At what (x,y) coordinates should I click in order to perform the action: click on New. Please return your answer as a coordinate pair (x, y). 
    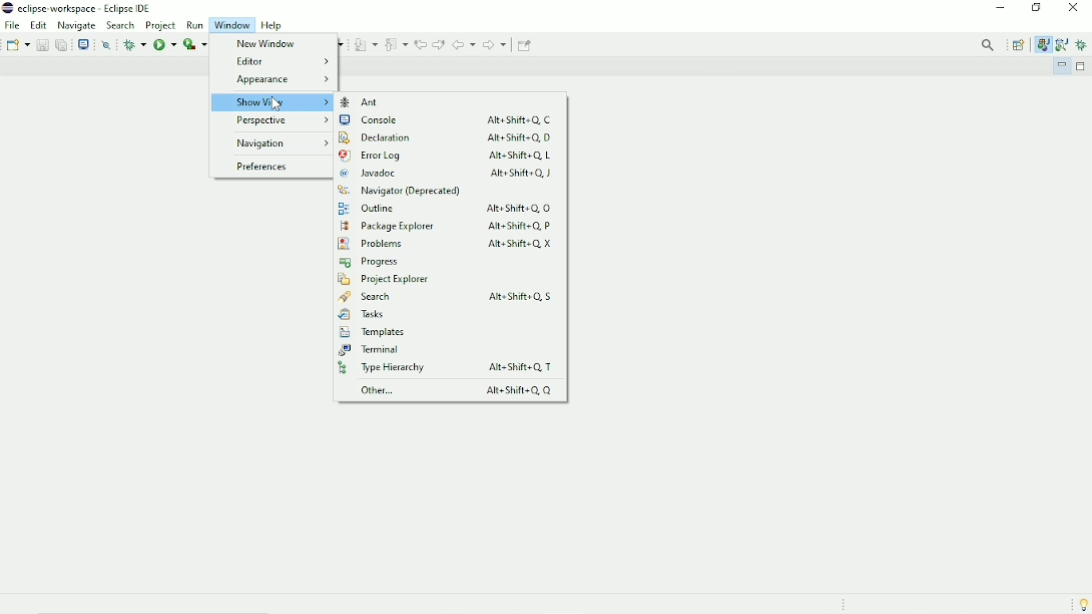
    Looking at the image, I should click on (18, 44).